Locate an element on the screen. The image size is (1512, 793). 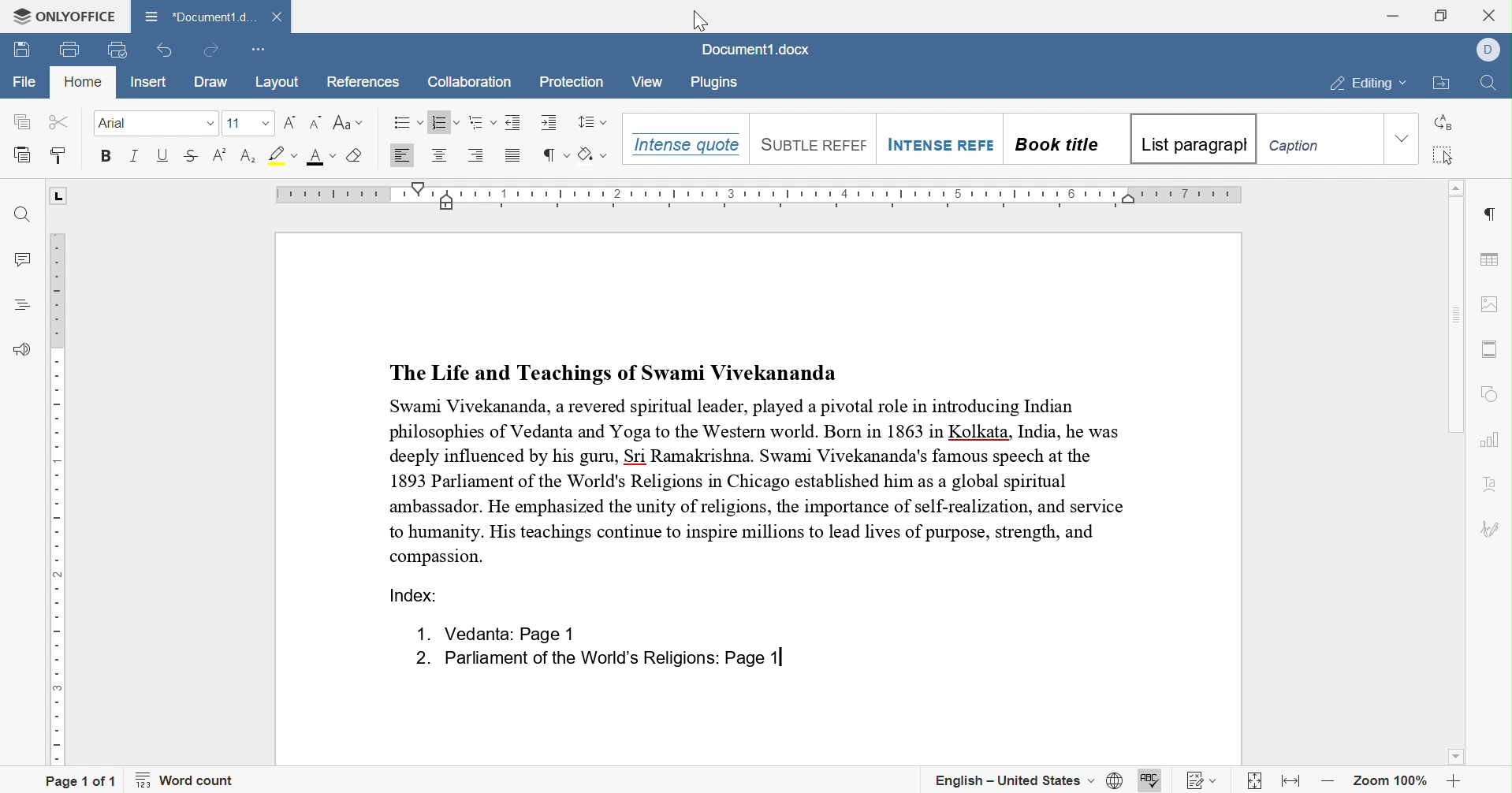
line spacing is located at coordinates (590, 122).